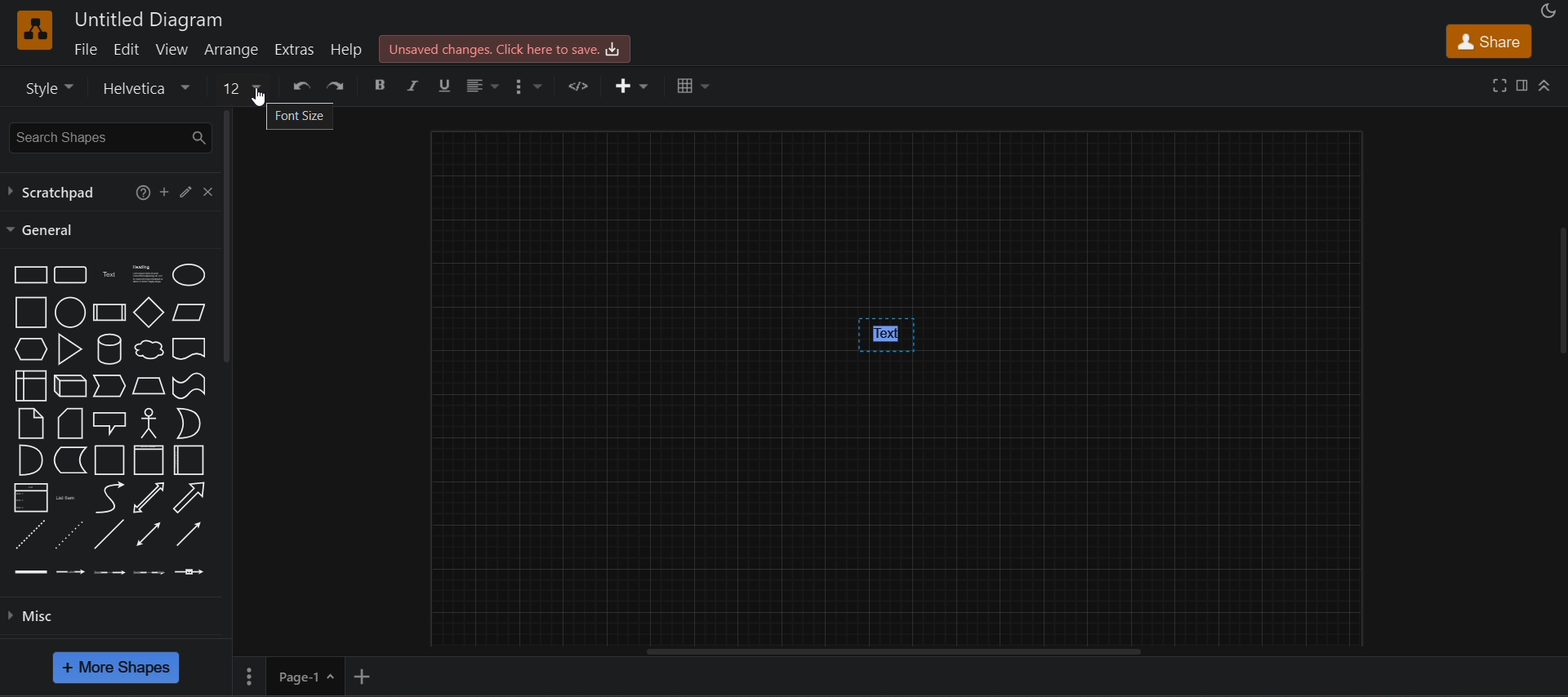  I want to click on table, so click(695, 86).